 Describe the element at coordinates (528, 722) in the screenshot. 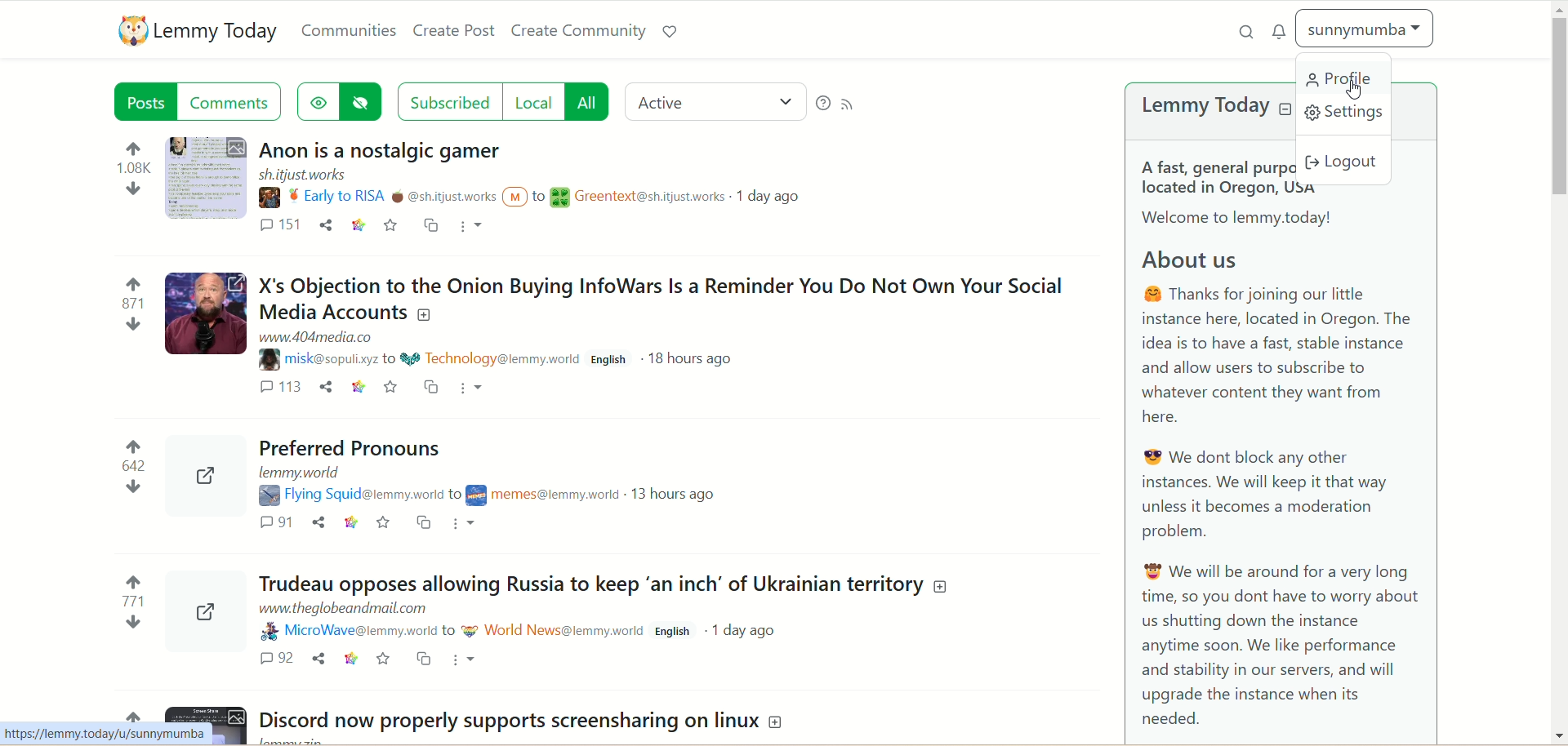

I see `Post on "Discord now properly supports screensharing on linux"` at that location.